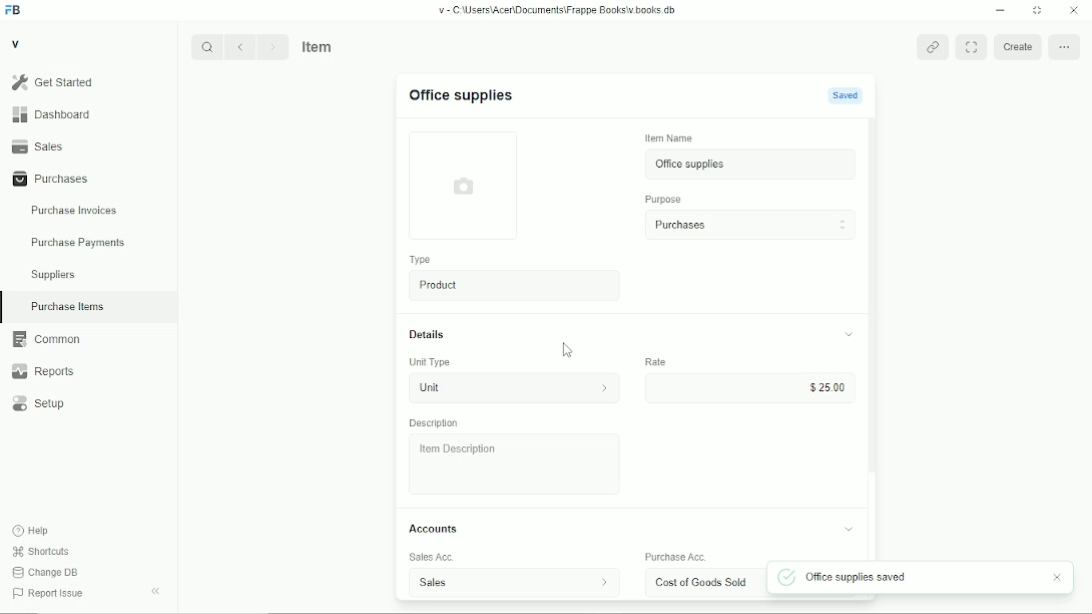  Describe the element at coordinates (605, 387) in the screenshot. I see `unit information` at that location.